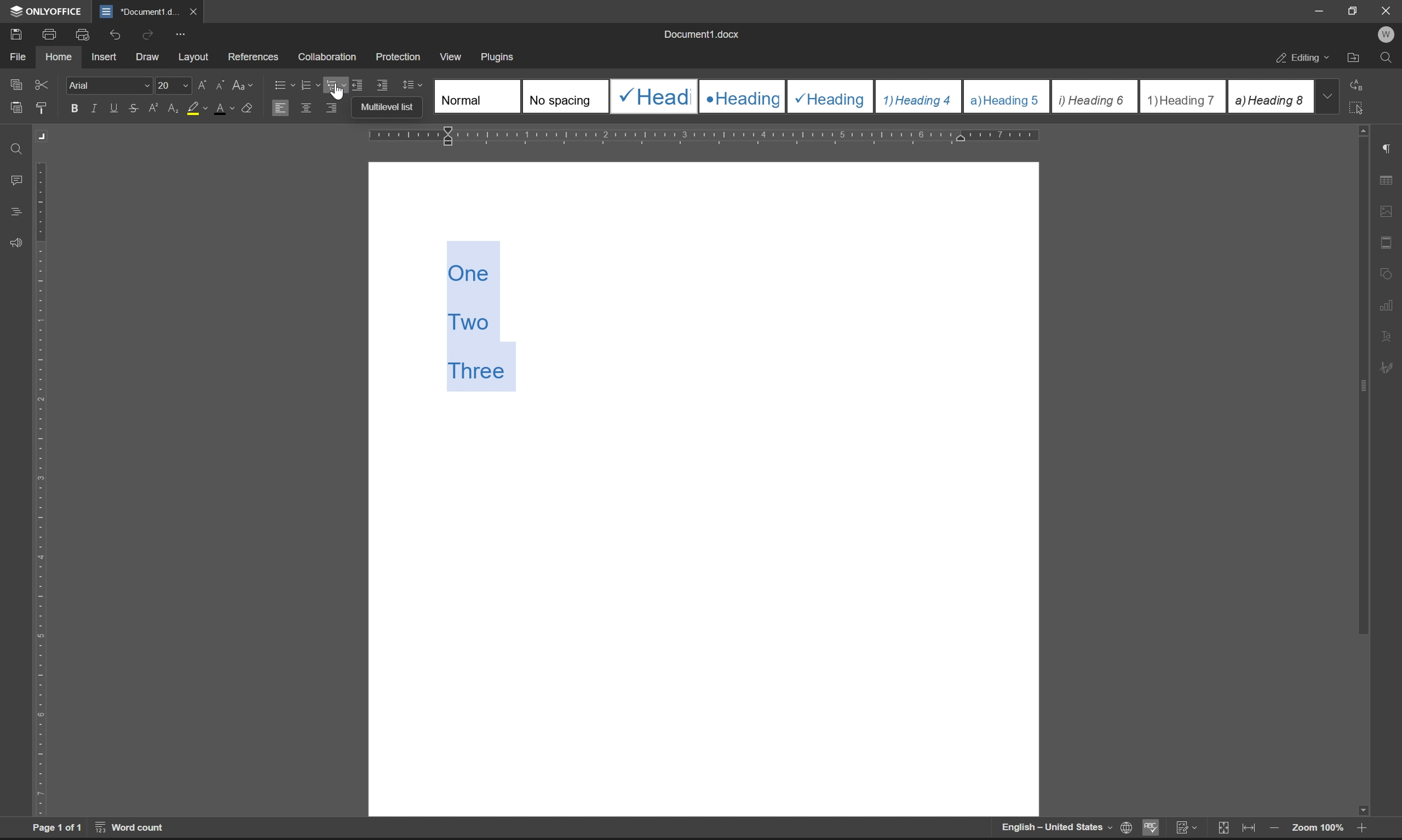 The height and width of the screenshot is (840, 1402). Describe the element at coordinates (44, 136) in the screenshot. I see `Margin` at that location.